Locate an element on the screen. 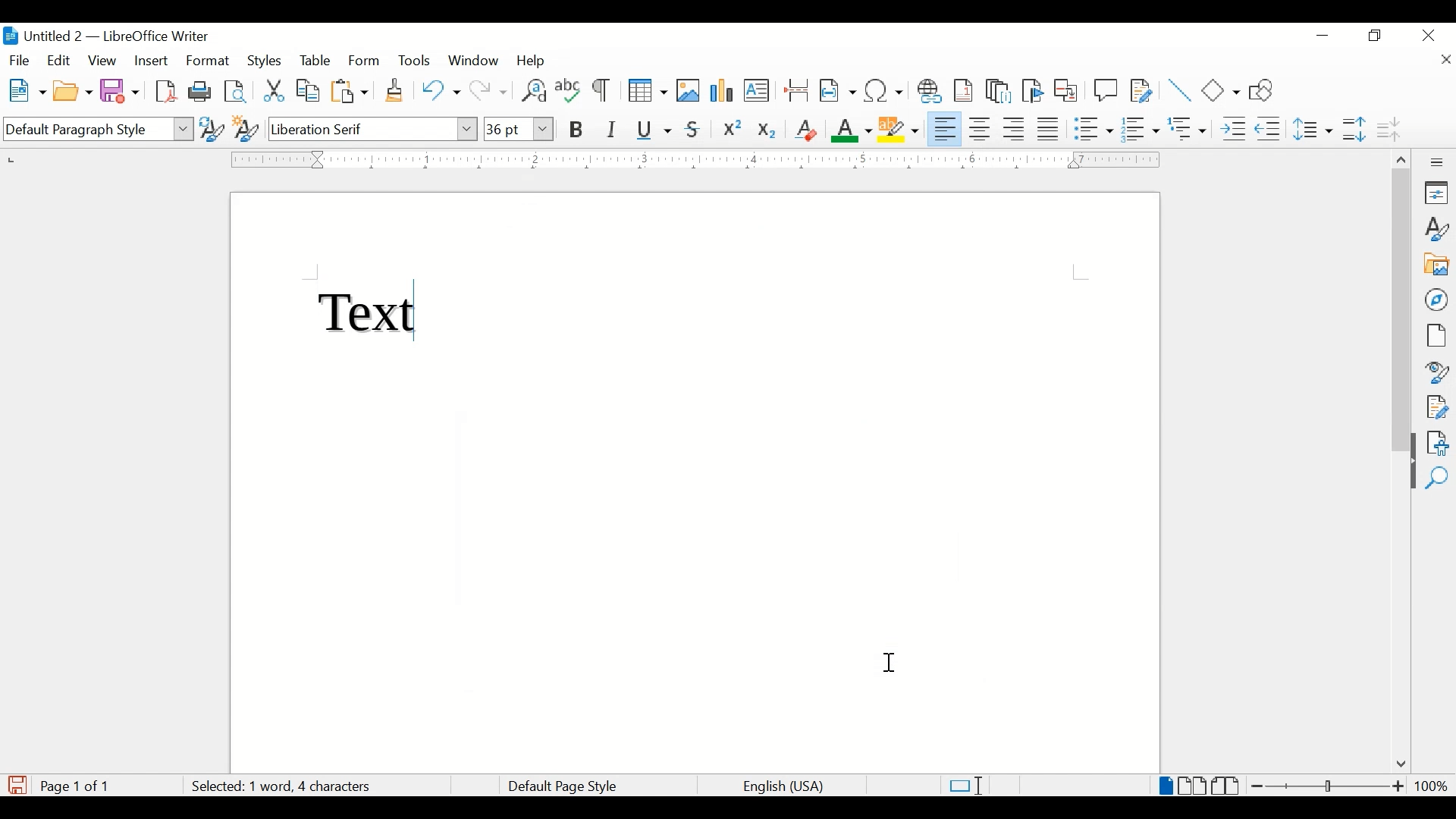 This screenshot has height=819, width=1456. undo is located at coordinates (441, 90).